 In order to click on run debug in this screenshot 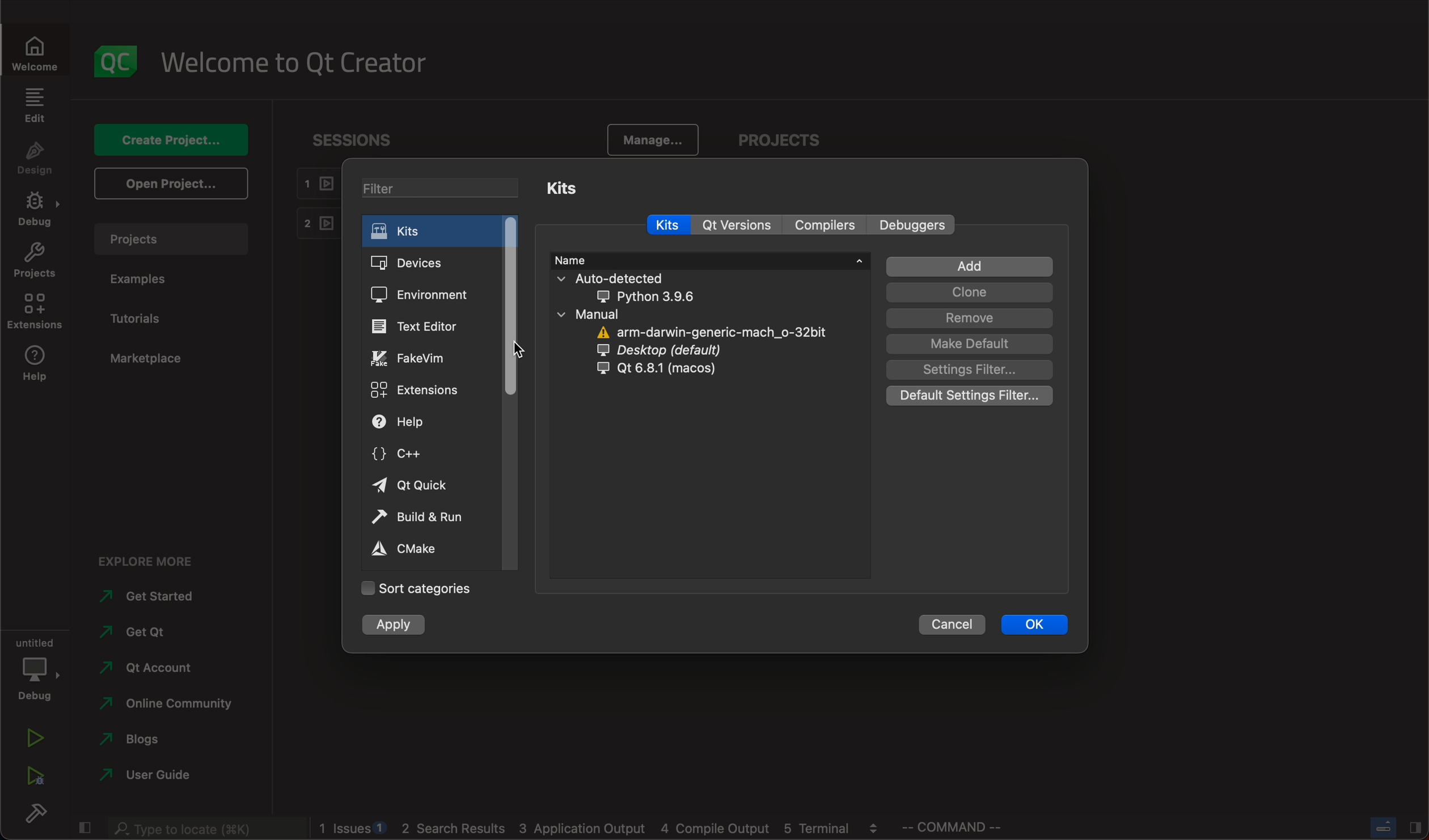, I will do `click(31, 778)`.